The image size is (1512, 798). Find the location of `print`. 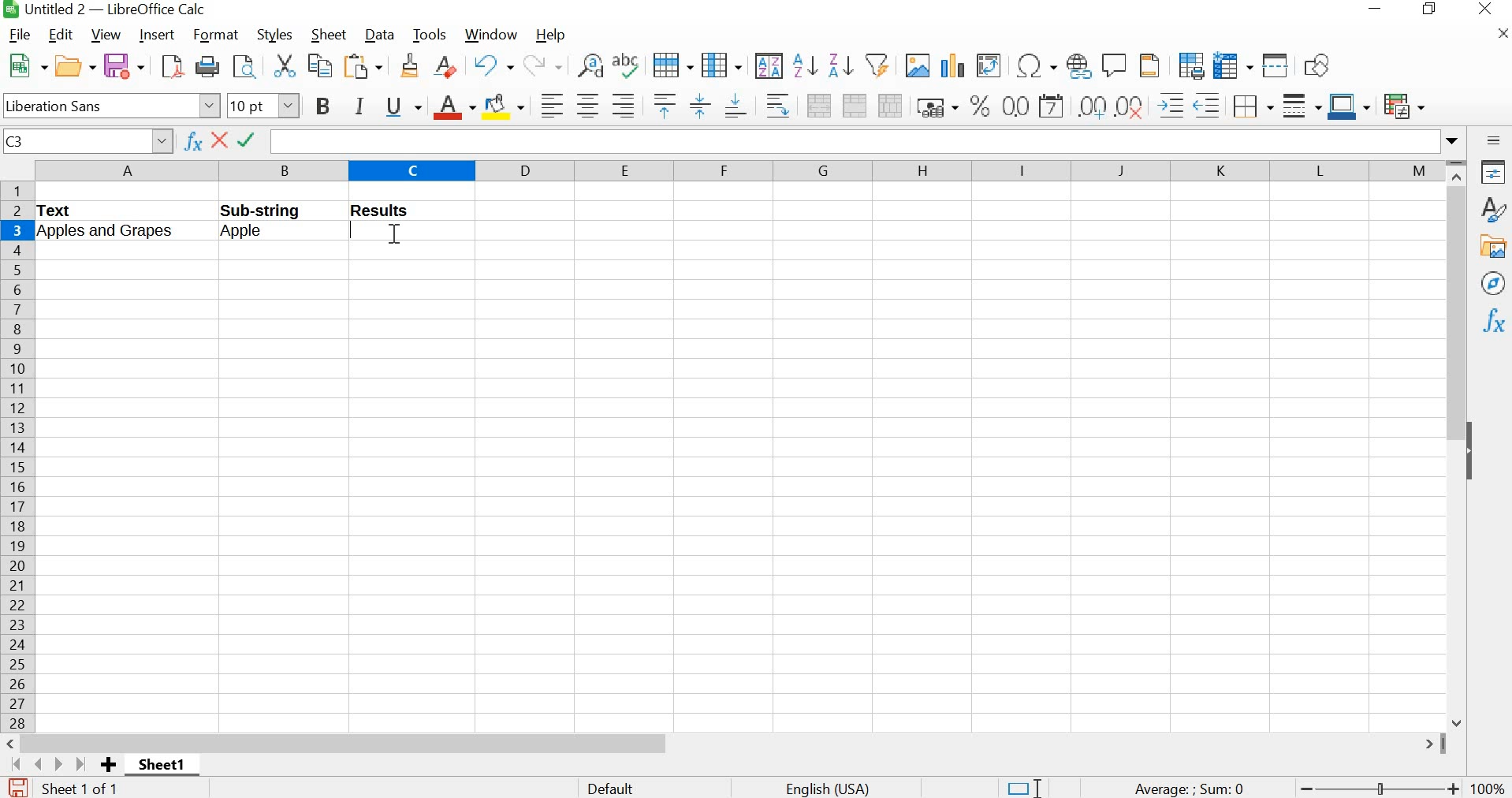

print is located at coordinates (207, 65).